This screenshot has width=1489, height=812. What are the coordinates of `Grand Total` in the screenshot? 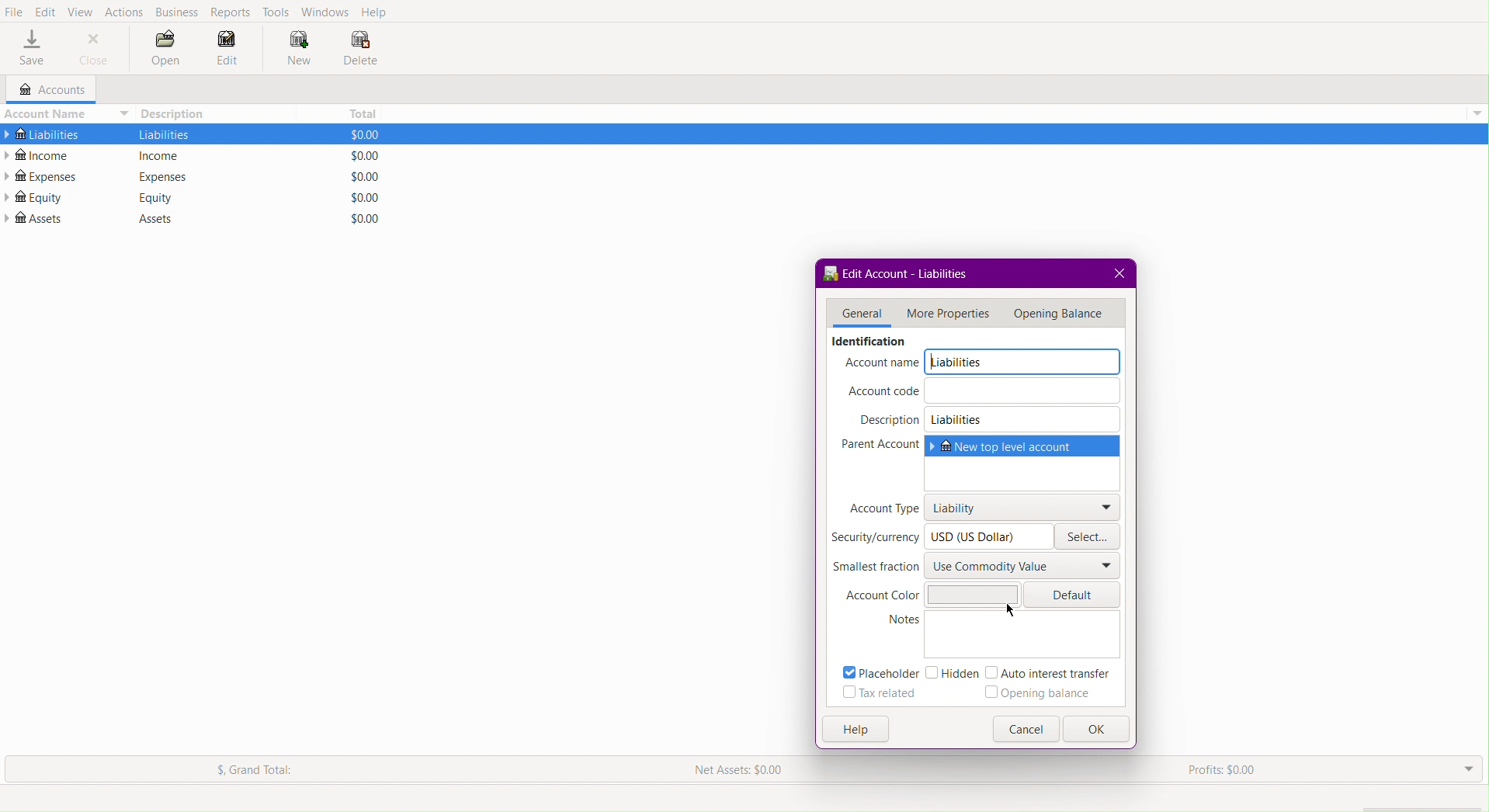 It's located at (256, 769).